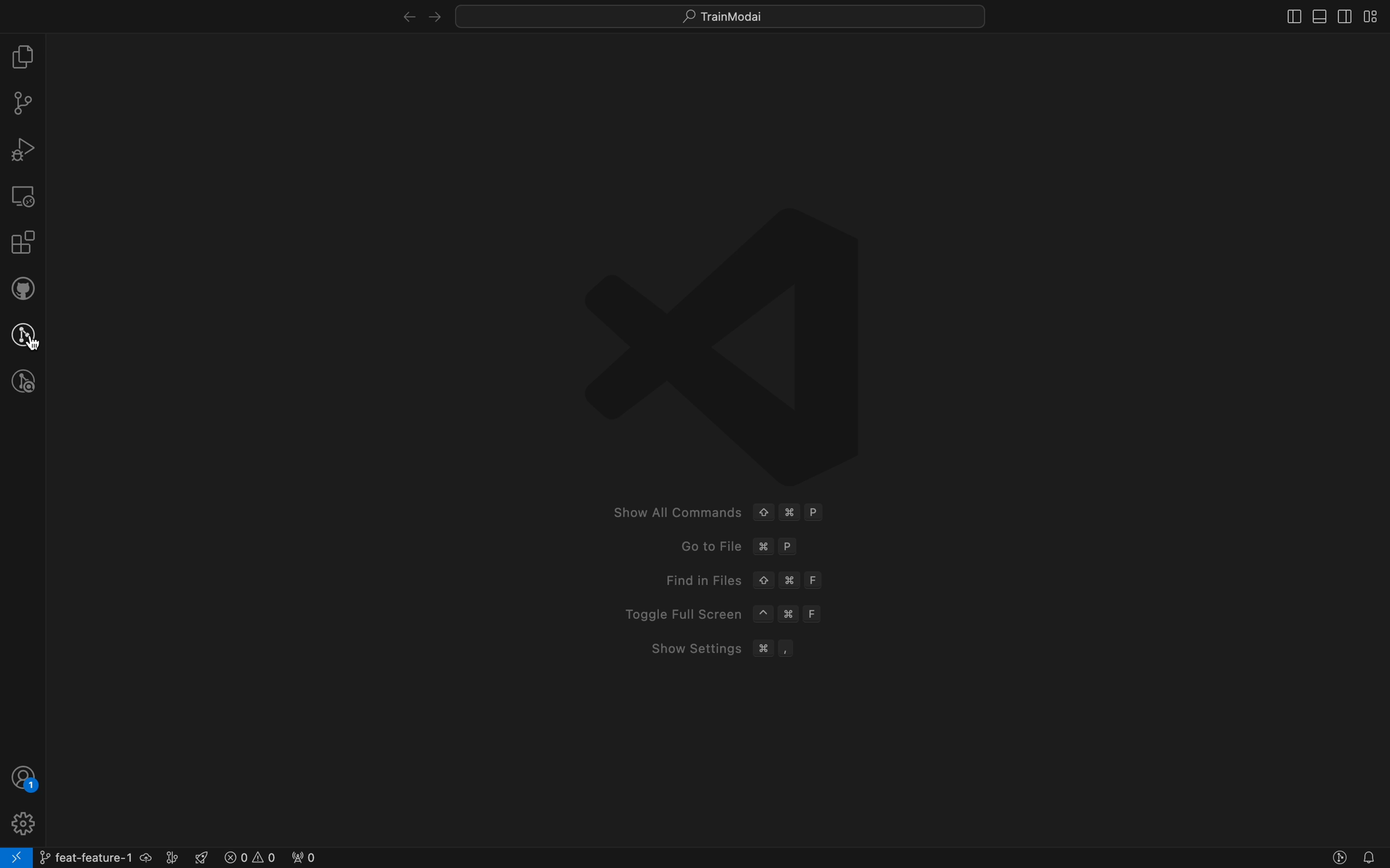 Image resolution: width=1390 pixels, height=868 pixels. What do you see at coordinates (25, 780) in the screenshot?
I see `profile` at bounding box center [25, 780].